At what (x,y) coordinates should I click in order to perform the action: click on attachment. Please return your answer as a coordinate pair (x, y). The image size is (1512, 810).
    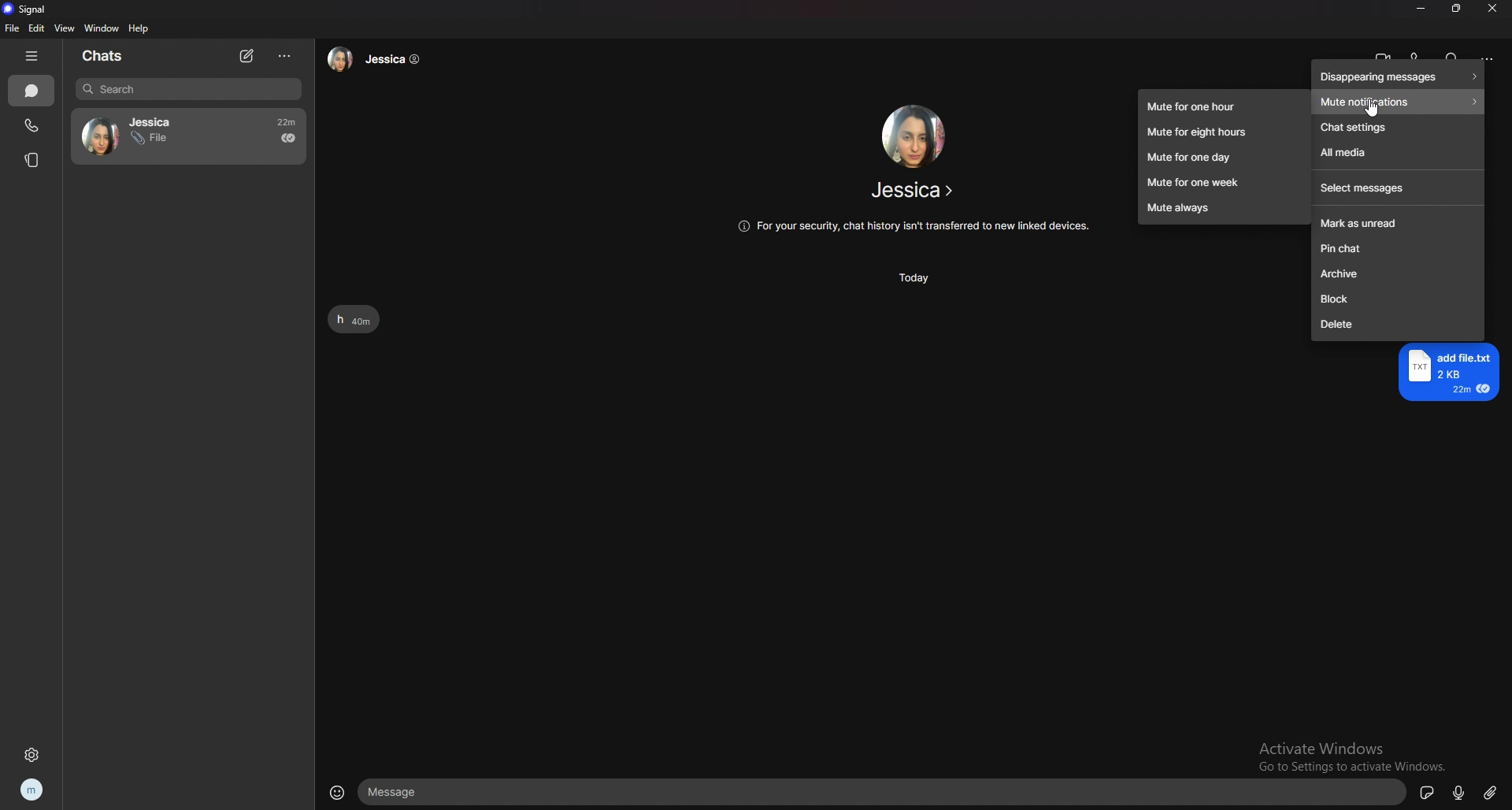
    Looking at the image, I should click on (1491, 792).